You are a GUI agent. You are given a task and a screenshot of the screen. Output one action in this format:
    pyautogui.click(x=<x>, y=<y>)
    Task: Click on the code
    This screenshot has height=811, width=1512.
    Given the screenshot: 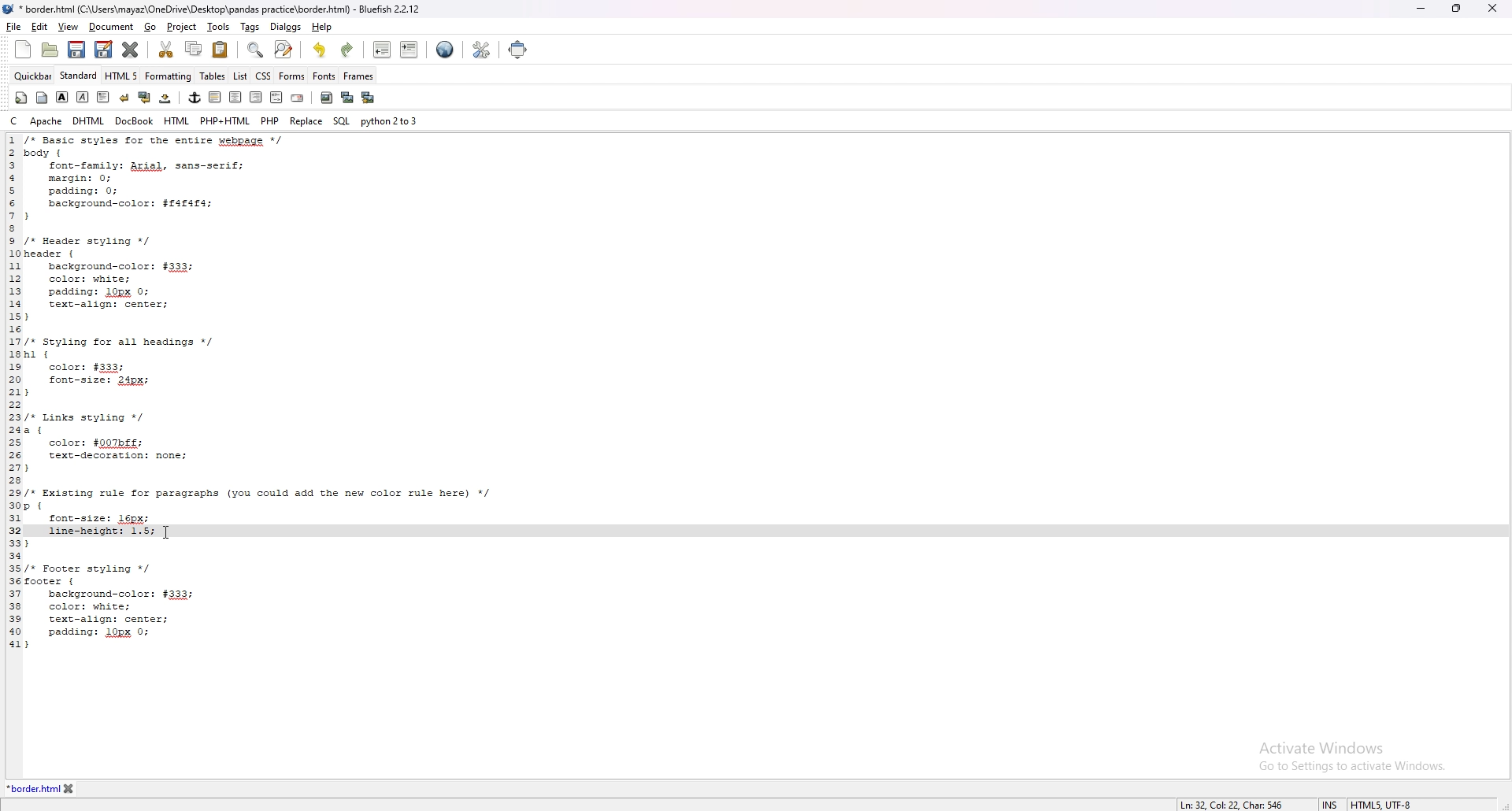 What is the action you would take?
    pyautogui.click(x=280, y=593)
    